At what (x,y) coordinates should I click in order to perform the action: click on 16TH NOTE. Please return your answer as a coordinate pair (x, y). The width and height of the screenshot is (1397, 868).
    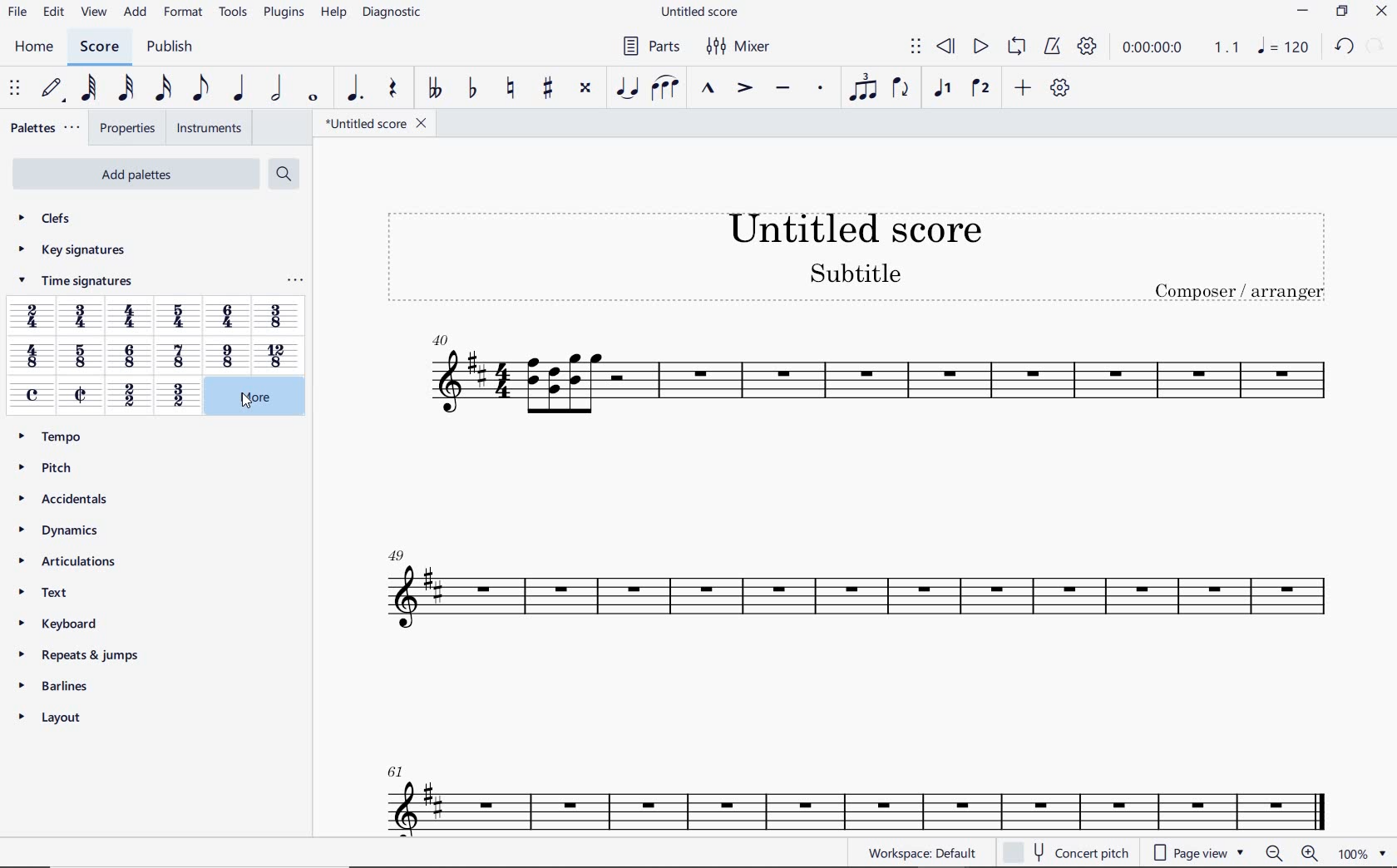
    Looking at the image, I should click on (160, 89).